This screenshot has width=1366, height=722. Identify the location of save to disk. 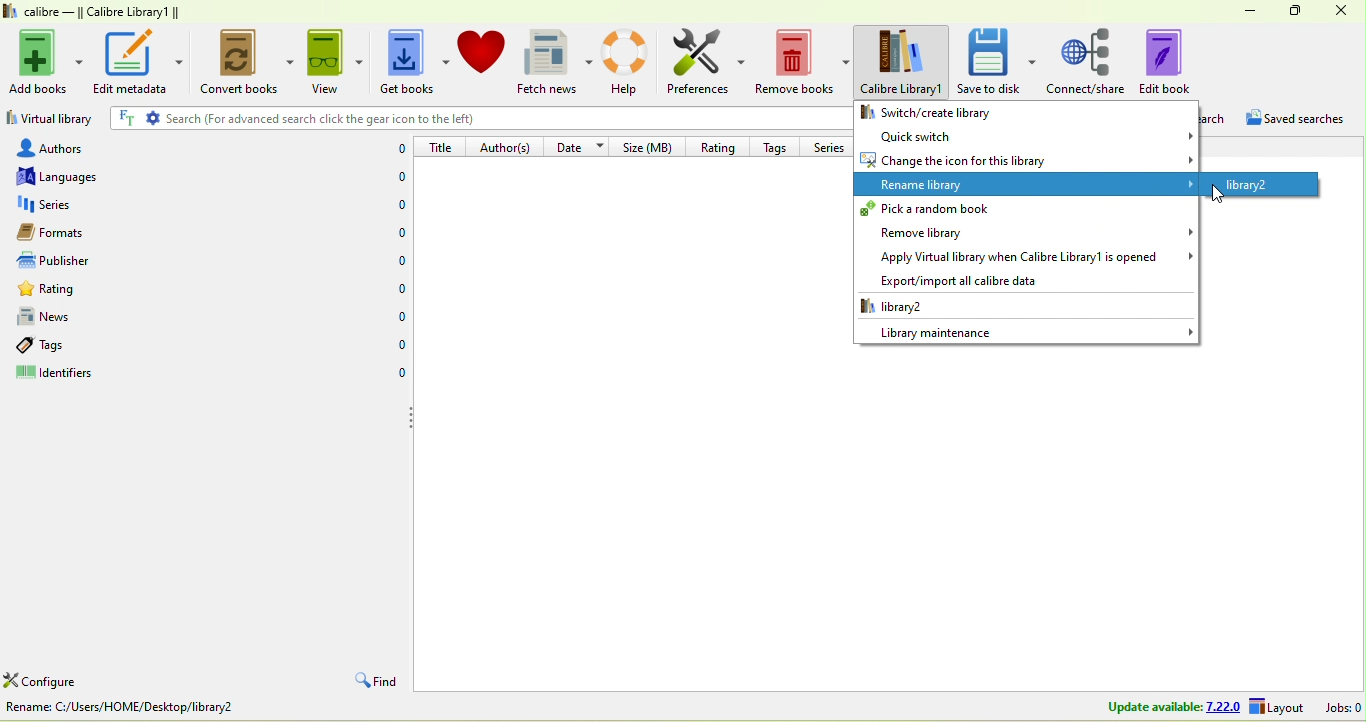
(997, 60).